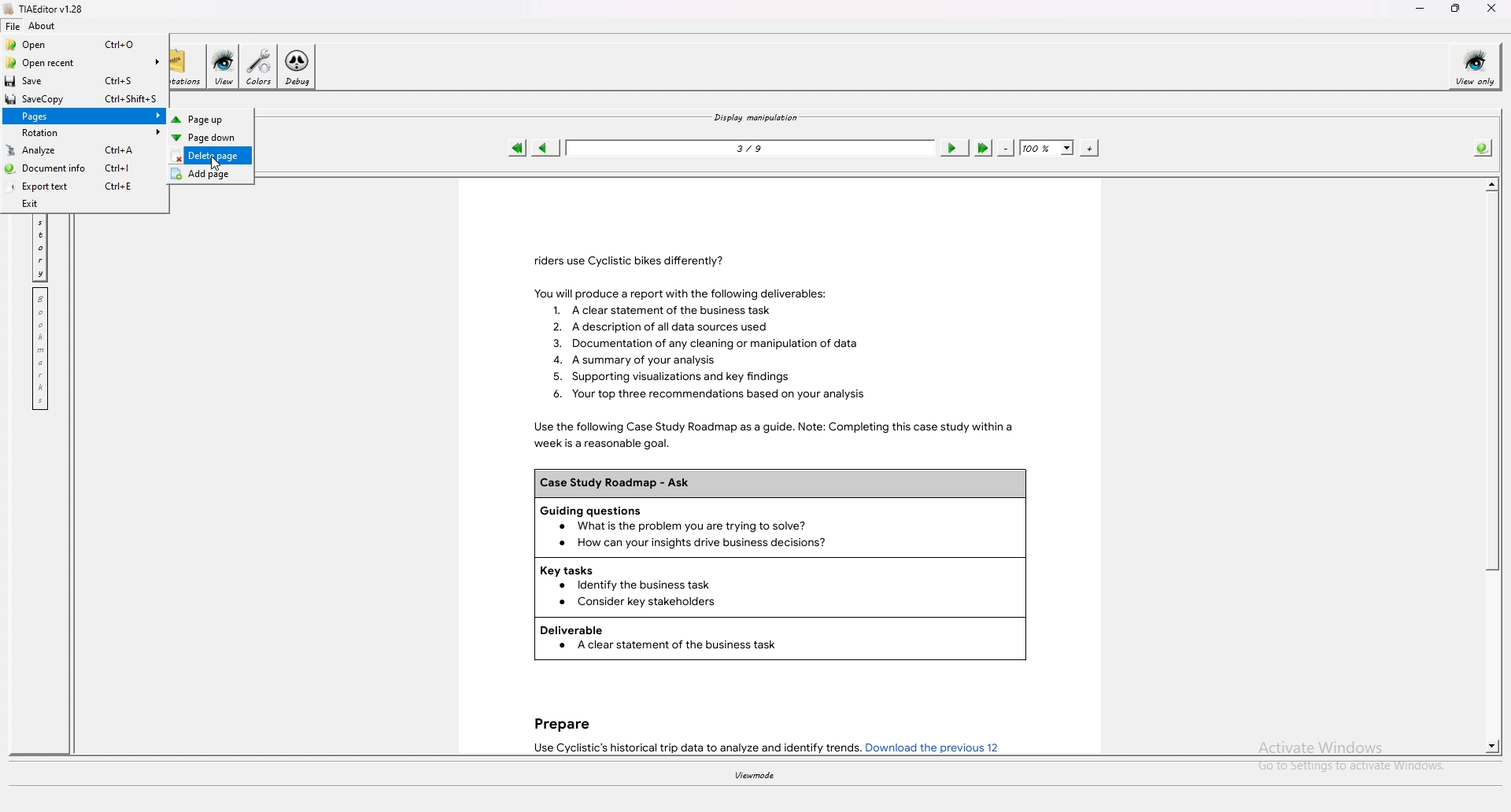 Image resolution: width=1511 pixels, height=812 pixels. Describe the element at coordinates (87, 133) in the screenshot. I see `Rotation` at that location.